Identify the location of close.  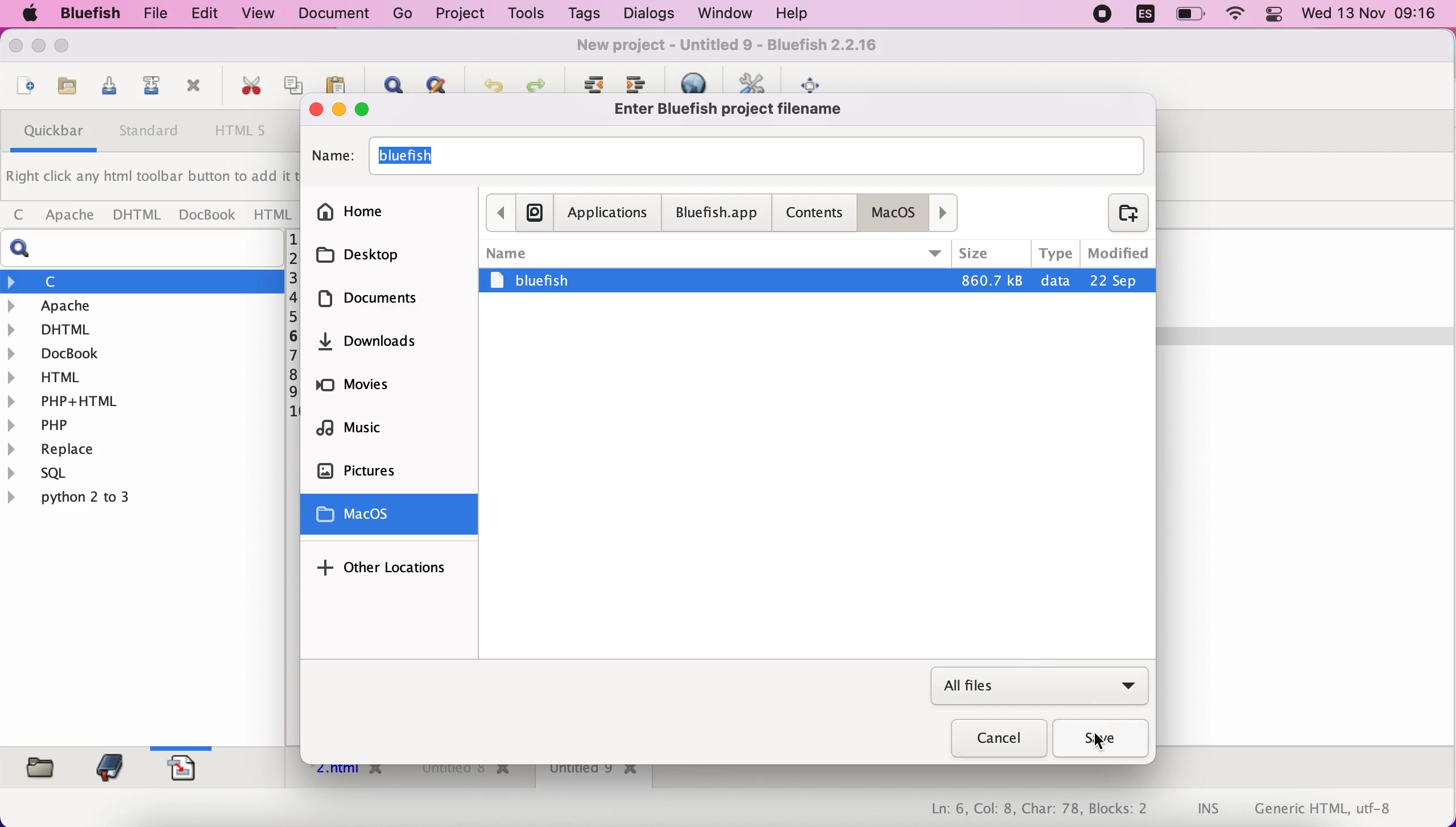
(19, 48).